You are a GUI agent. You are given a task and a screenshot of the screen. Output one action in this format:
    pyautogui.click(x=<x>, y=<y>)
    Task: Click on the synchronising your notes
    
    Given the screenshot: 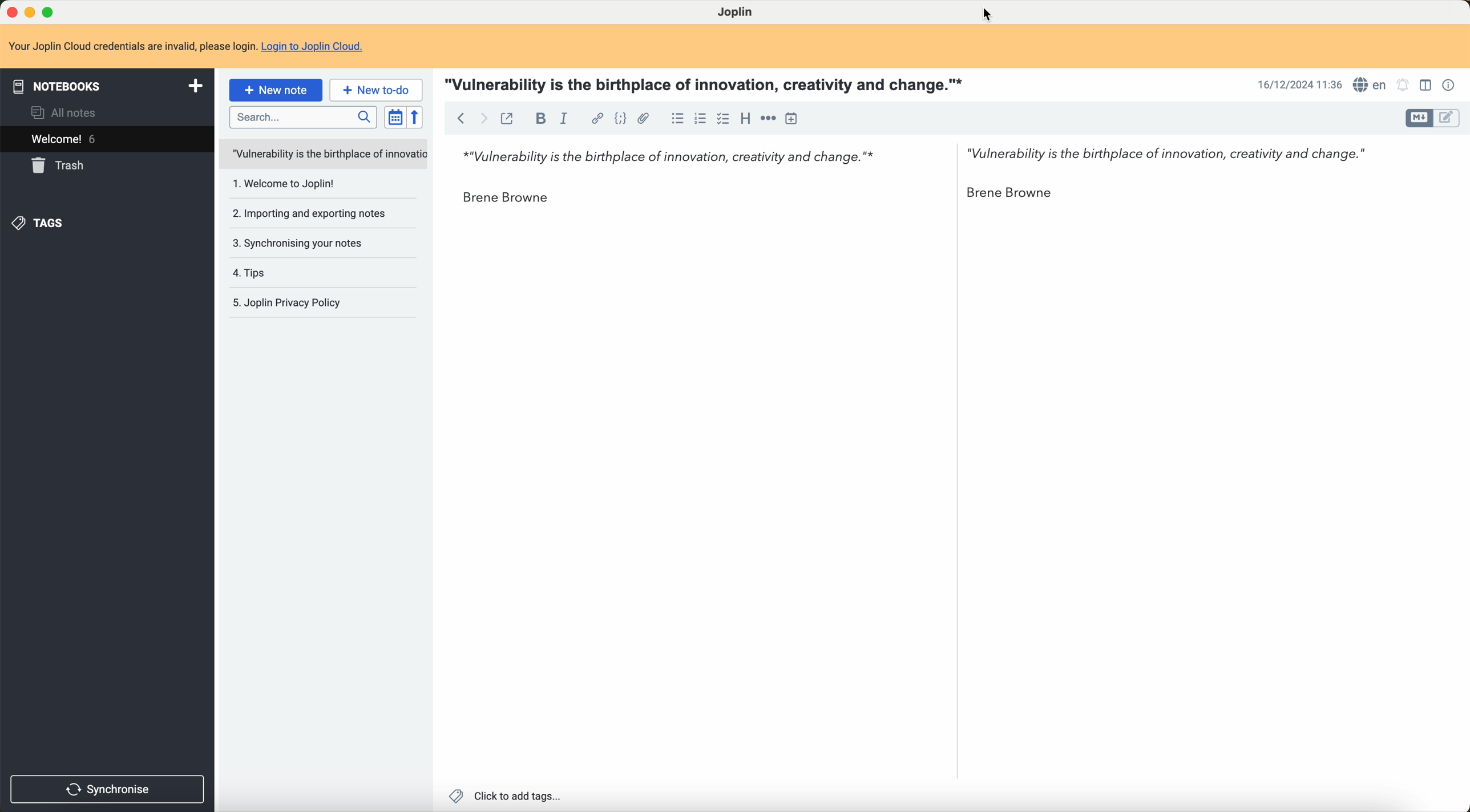 What is the action you would take?
    pyautogui.click(x=298, y=242)
    